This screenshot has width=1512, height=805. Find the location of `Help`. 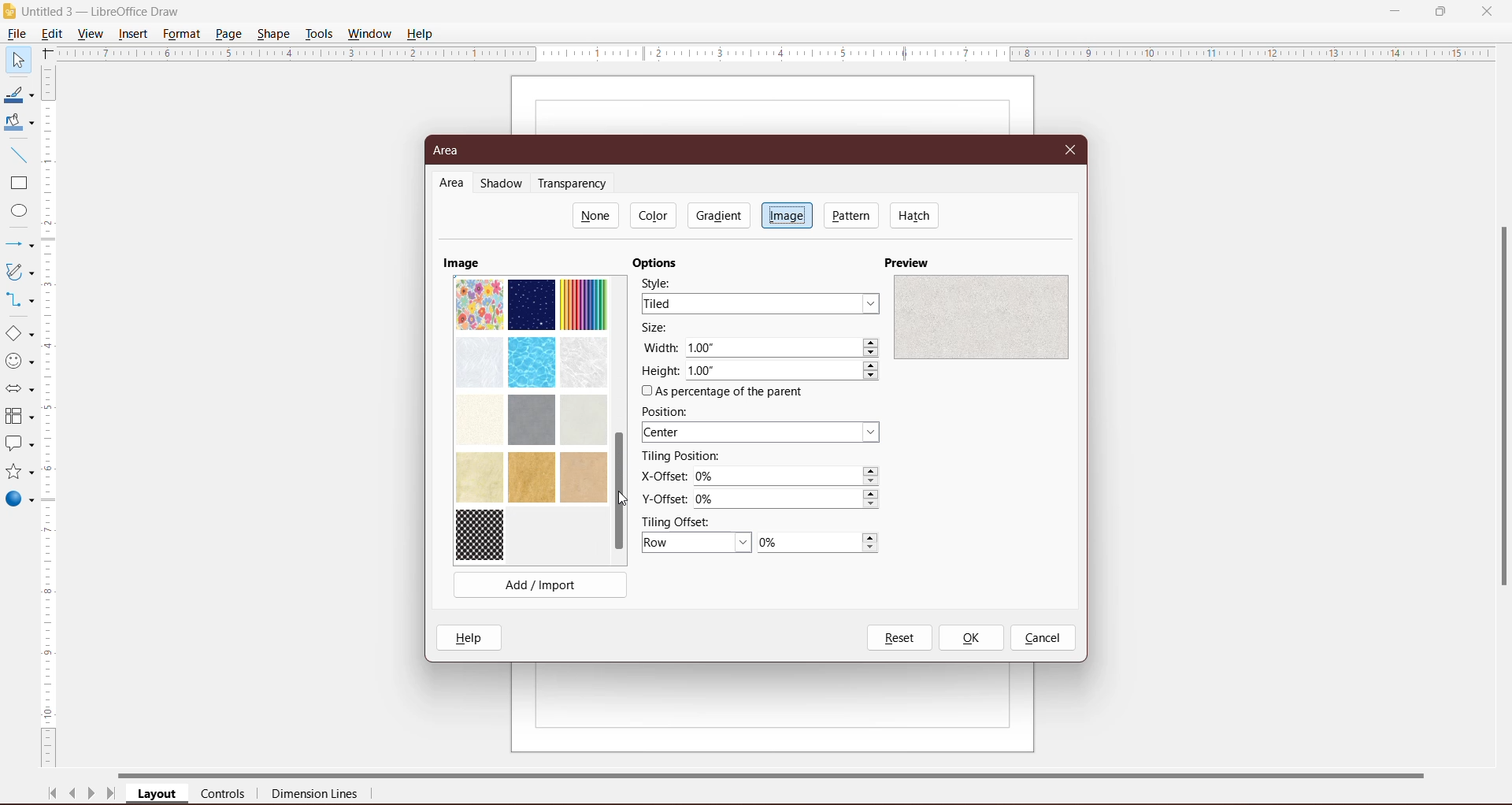

Help is located at coordinates (472, 637).